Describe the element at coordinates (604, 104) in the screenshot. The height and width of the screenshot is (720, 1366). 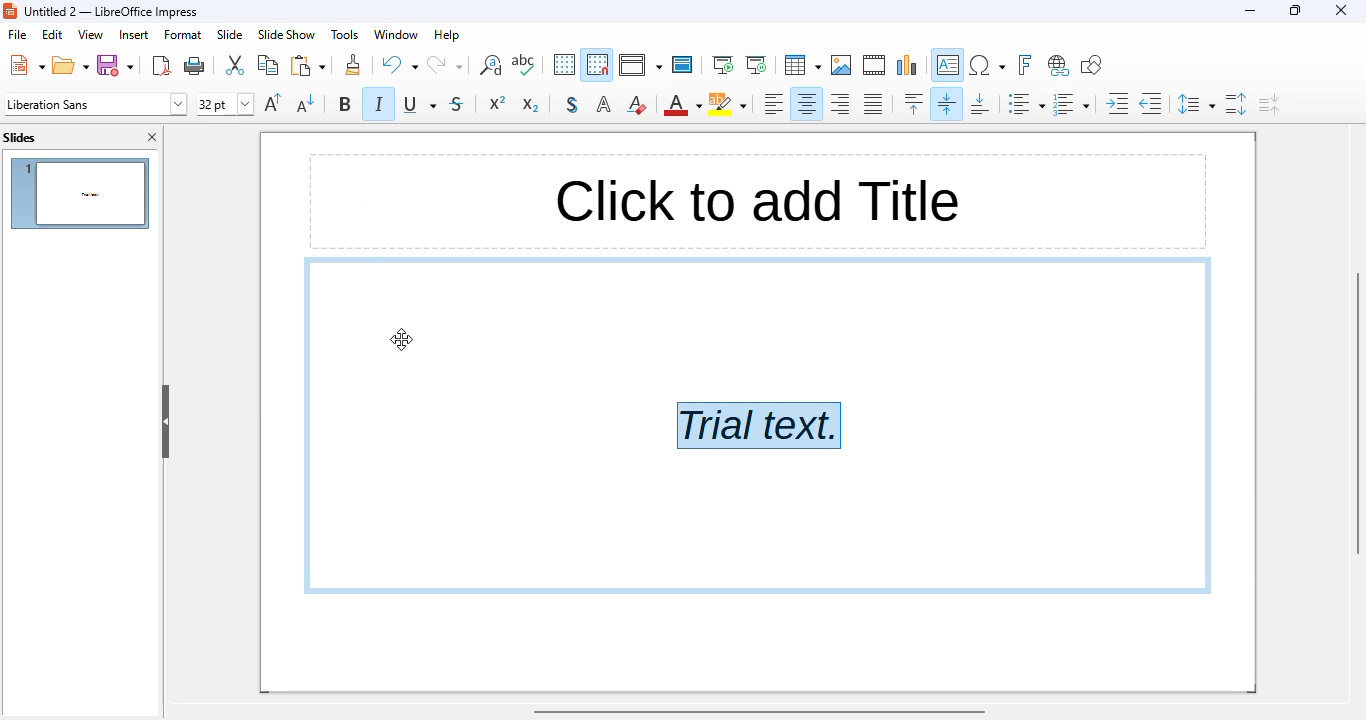
I see `apply outline attribute to font` at that location.